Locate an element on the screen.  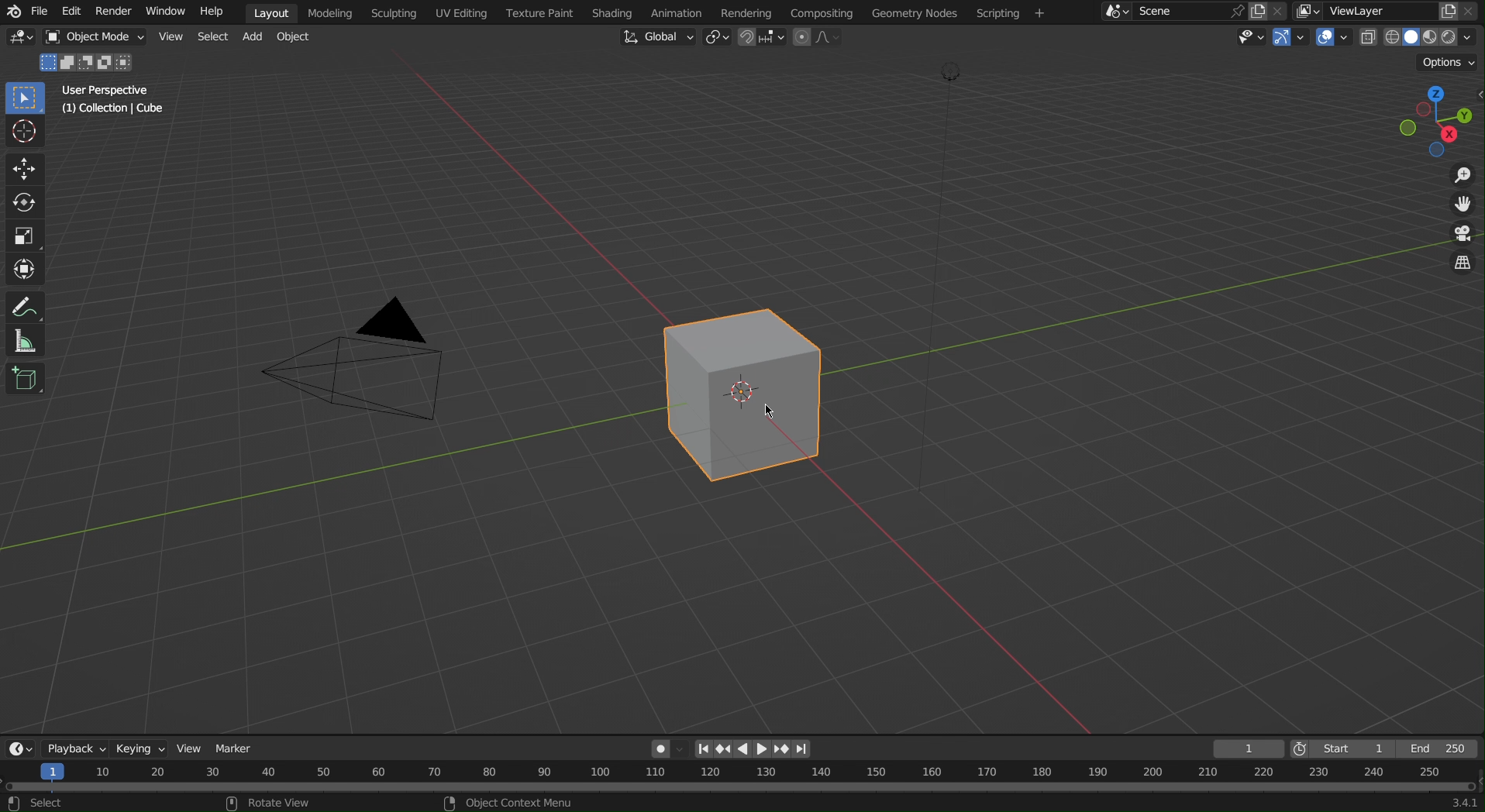
Keying is located at coordinates (141, 751).